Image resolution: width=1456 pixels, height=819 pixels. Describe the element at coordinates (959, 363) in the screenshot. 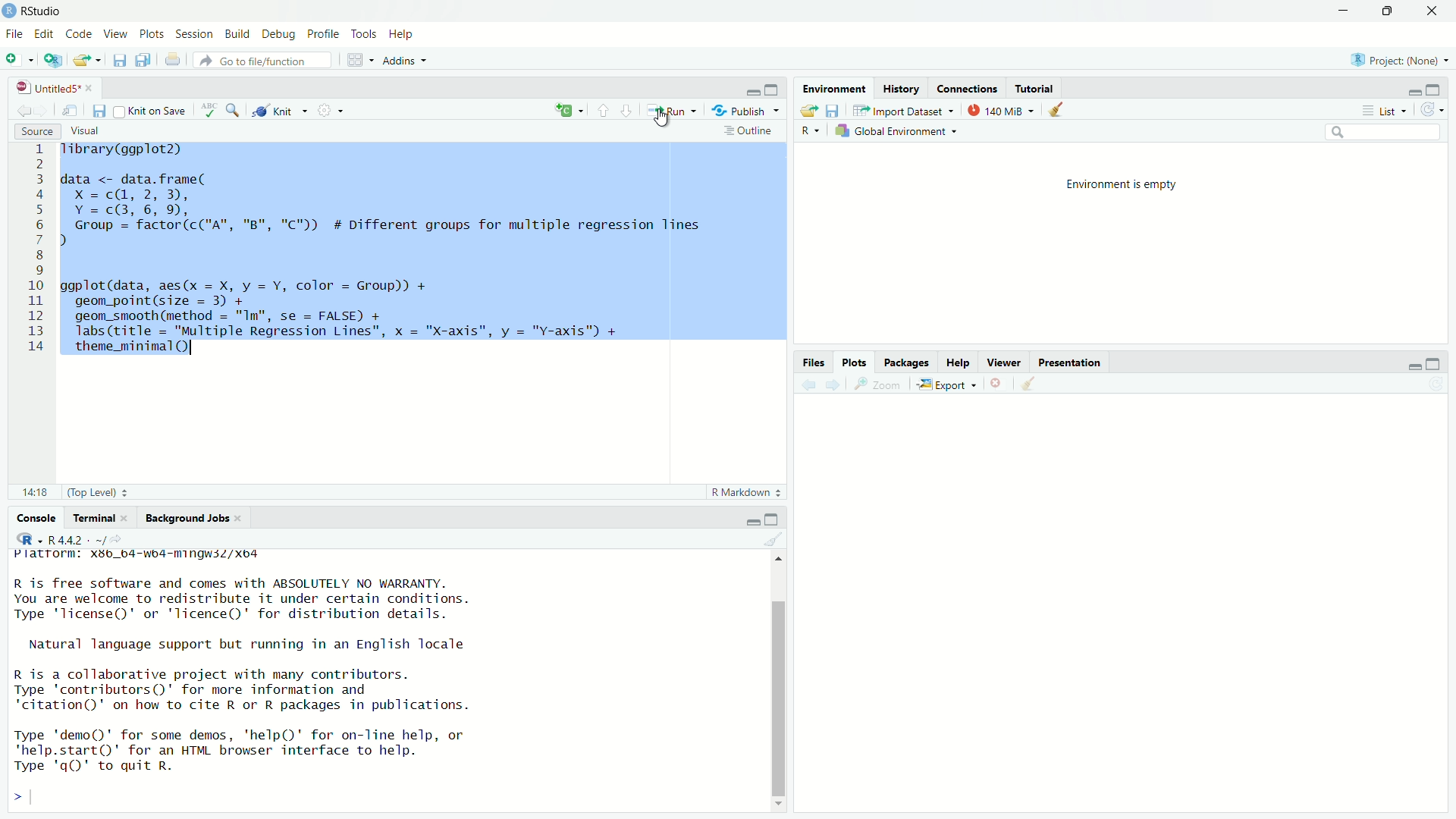

I see `Help` at that location.